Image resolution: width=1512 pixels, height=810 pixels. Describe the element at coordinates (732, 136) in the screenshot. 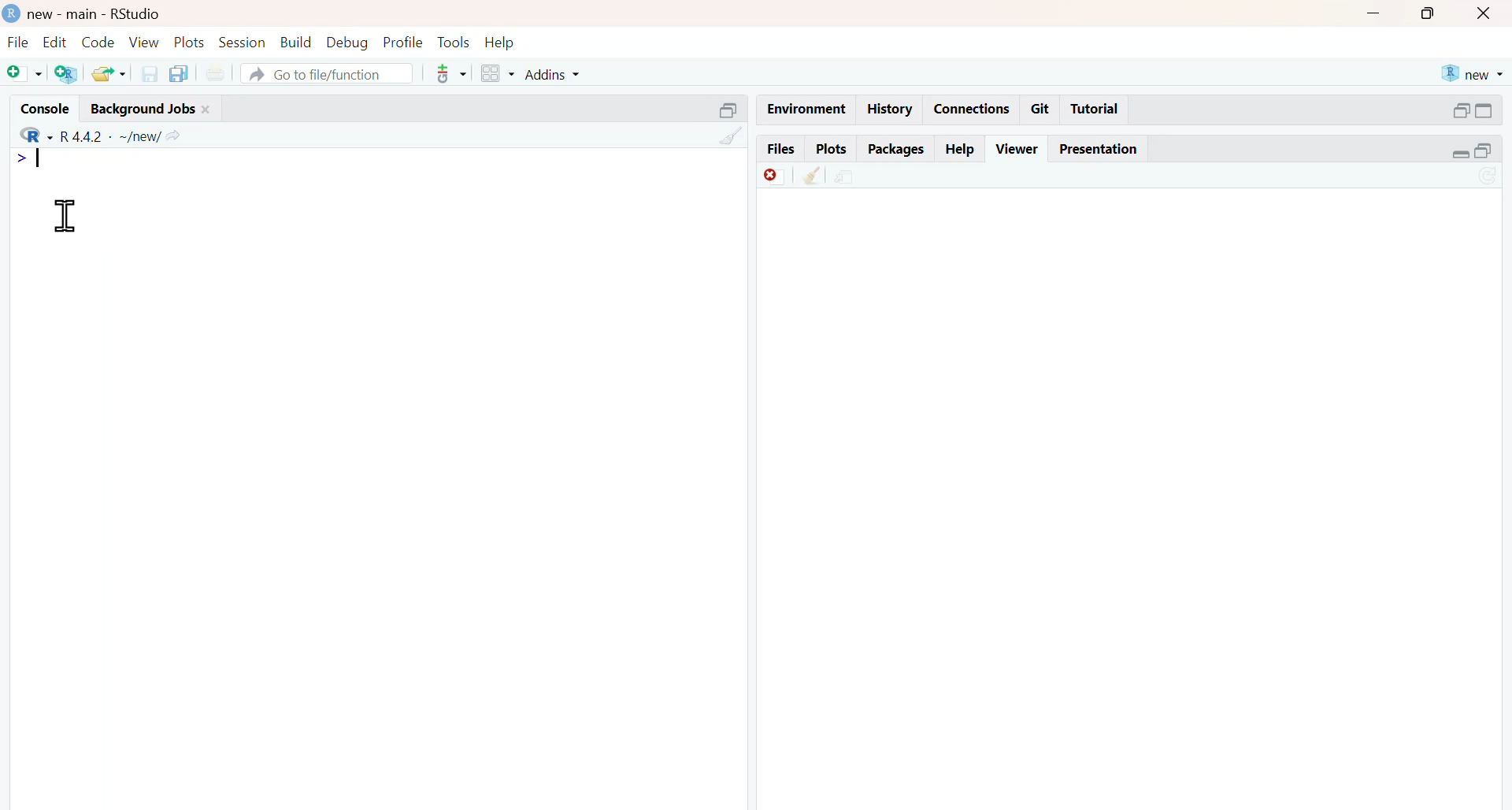

I see `clean` at that location.